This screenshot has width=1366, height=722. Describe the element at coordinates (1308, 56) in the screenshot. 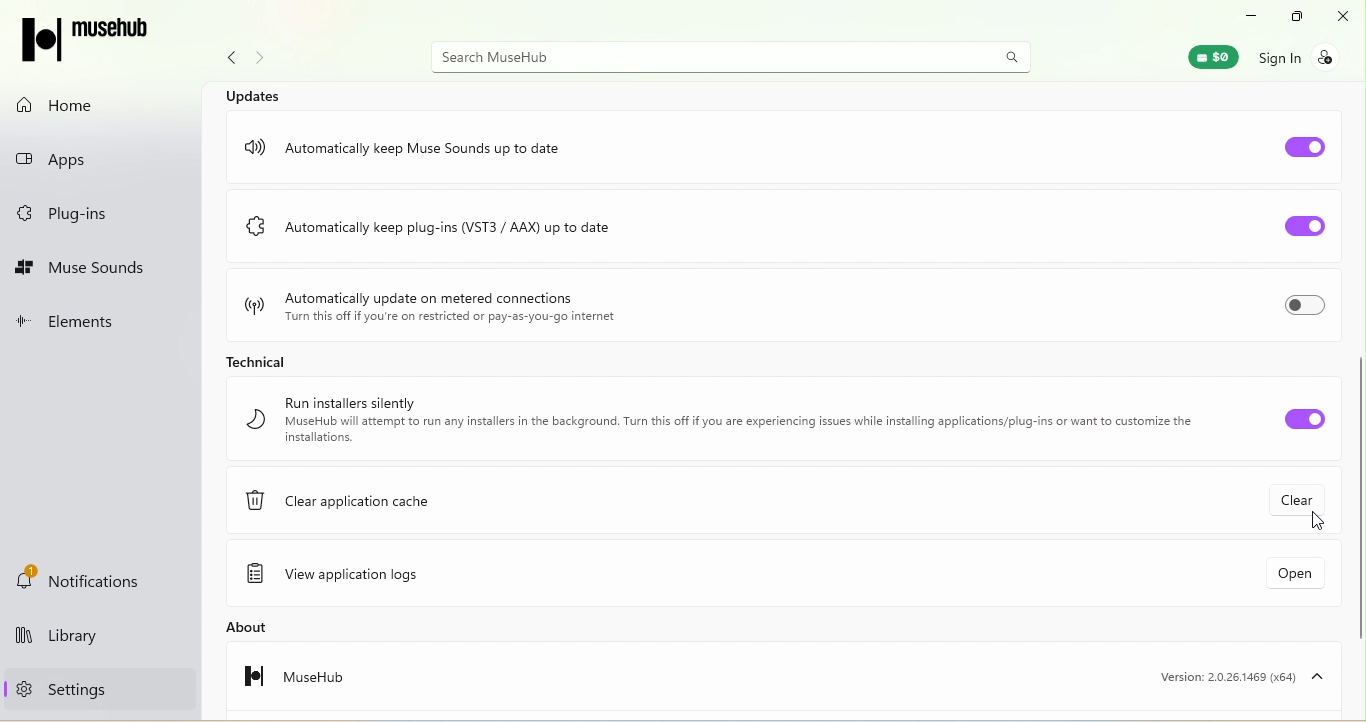

I see `Sign In` at that location.